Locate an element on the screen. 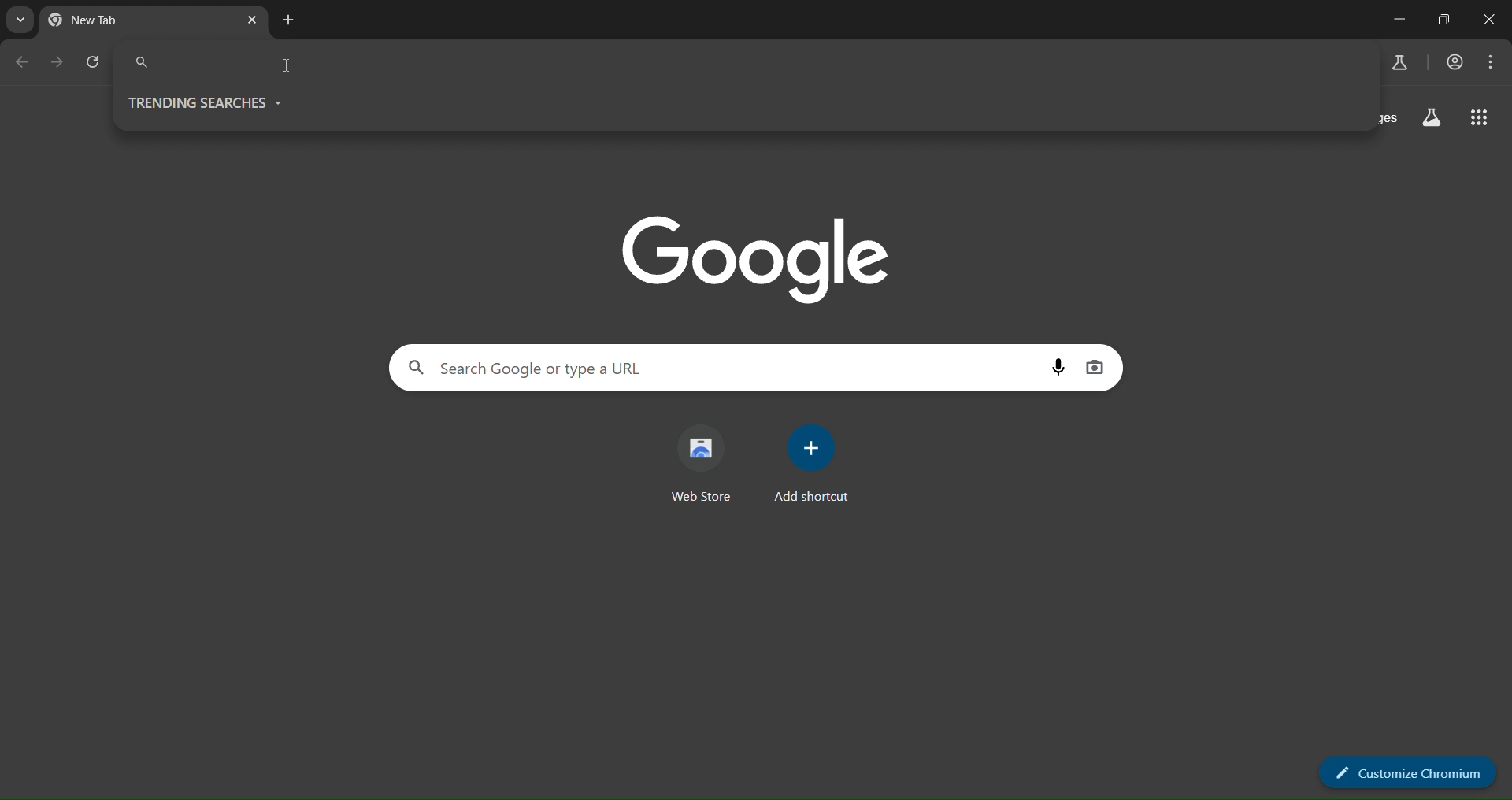 Image resolution: width=1512 pixels, height=800 pixels. web store is located at coordinates (706, 464).